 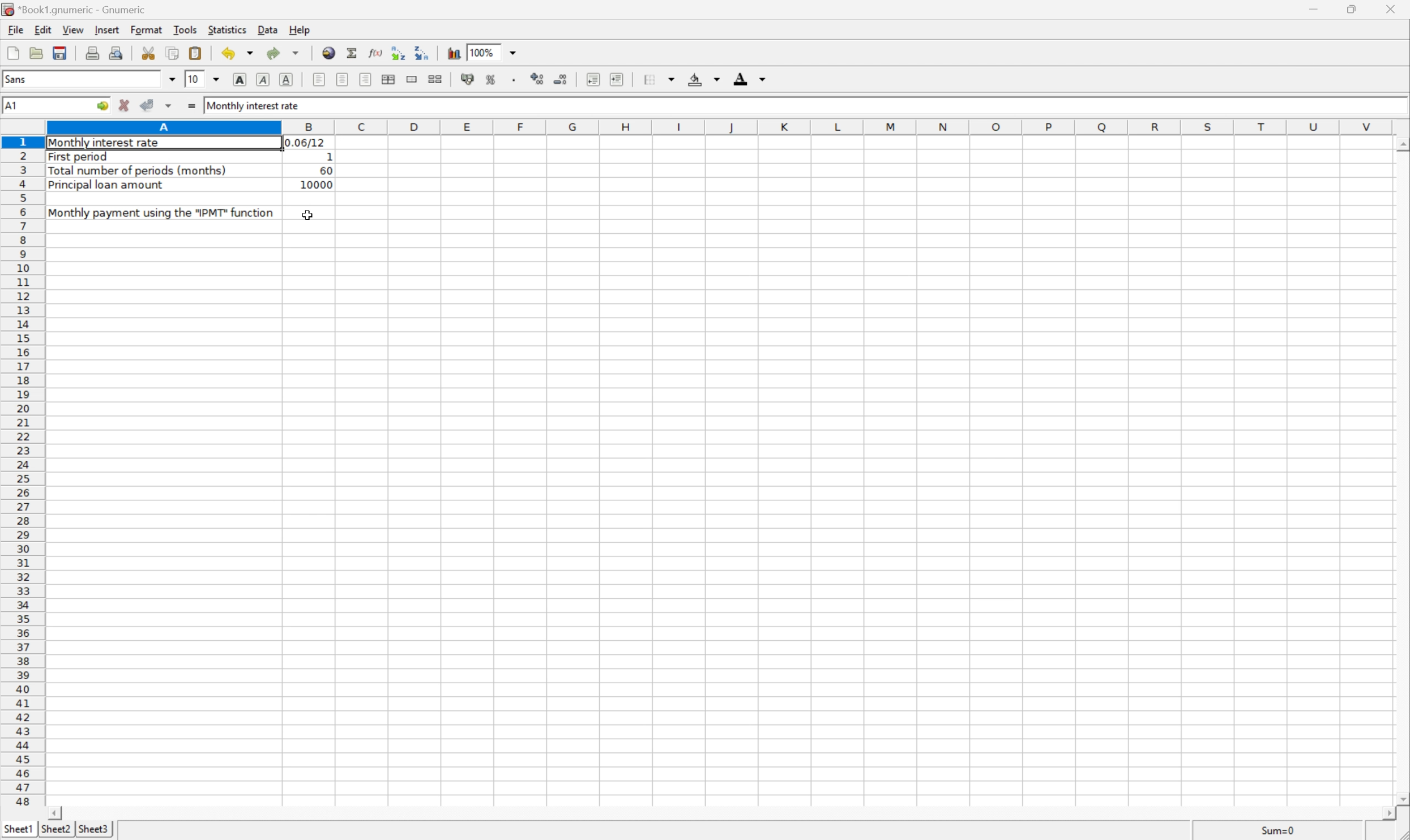 What do you see at coordinates (301, 29) in the screenshot?
I see `Help` at bounding box center [301, 29].